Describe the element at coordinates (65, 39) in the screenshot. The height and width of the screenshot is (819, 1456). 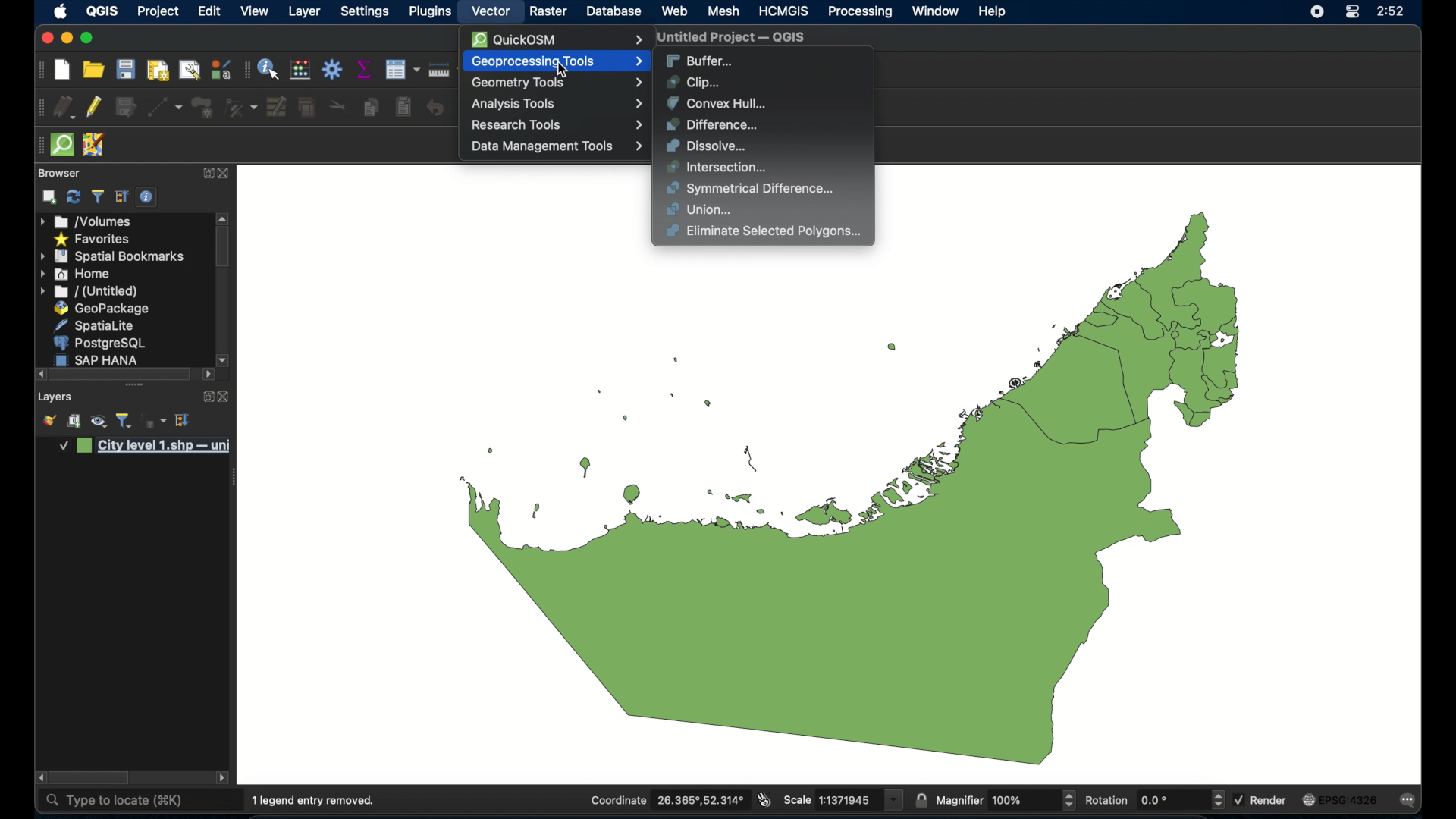
I see `minimize` at that location.